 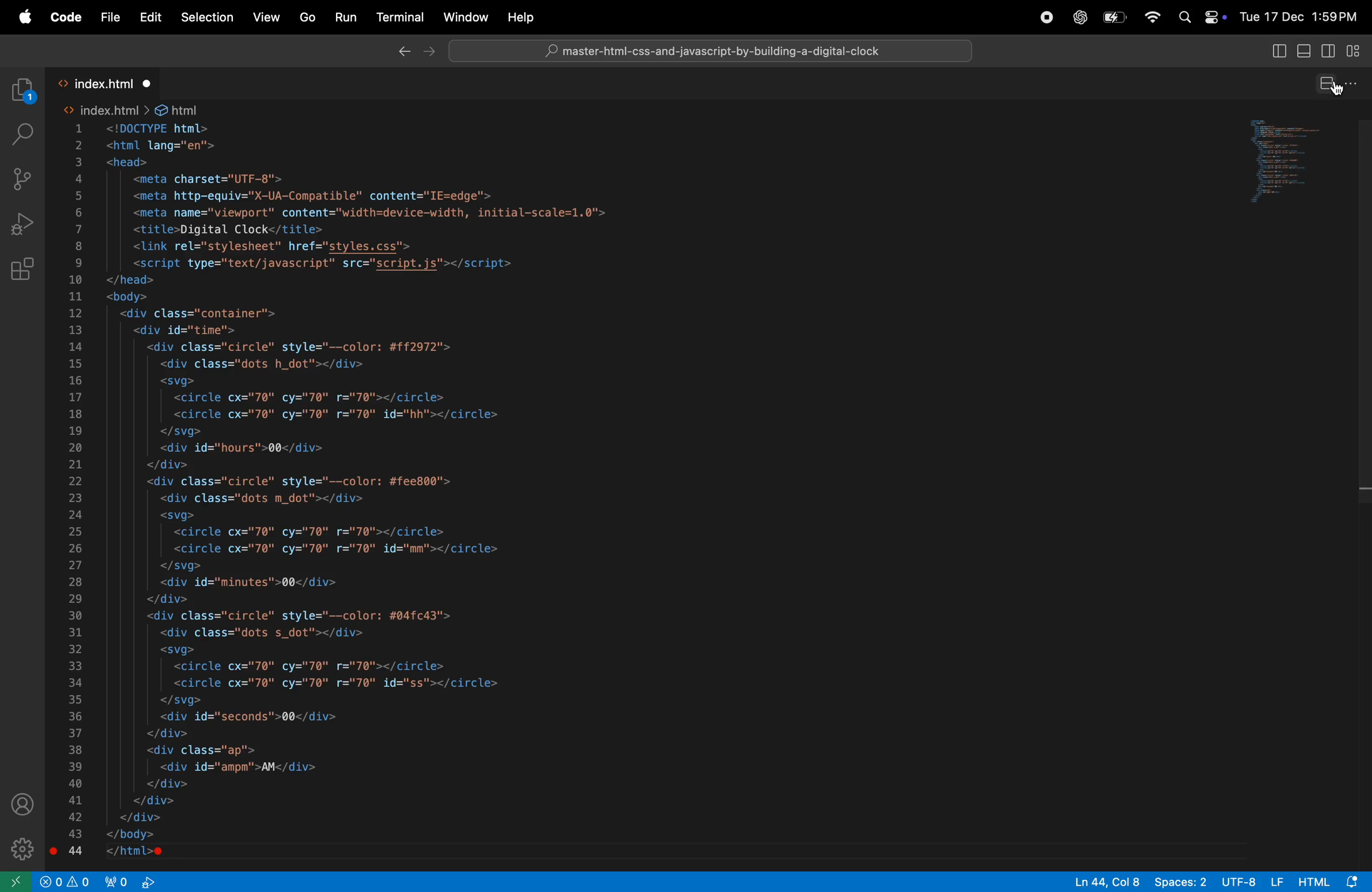 I want to click on profile, so click(x=21, y=803).